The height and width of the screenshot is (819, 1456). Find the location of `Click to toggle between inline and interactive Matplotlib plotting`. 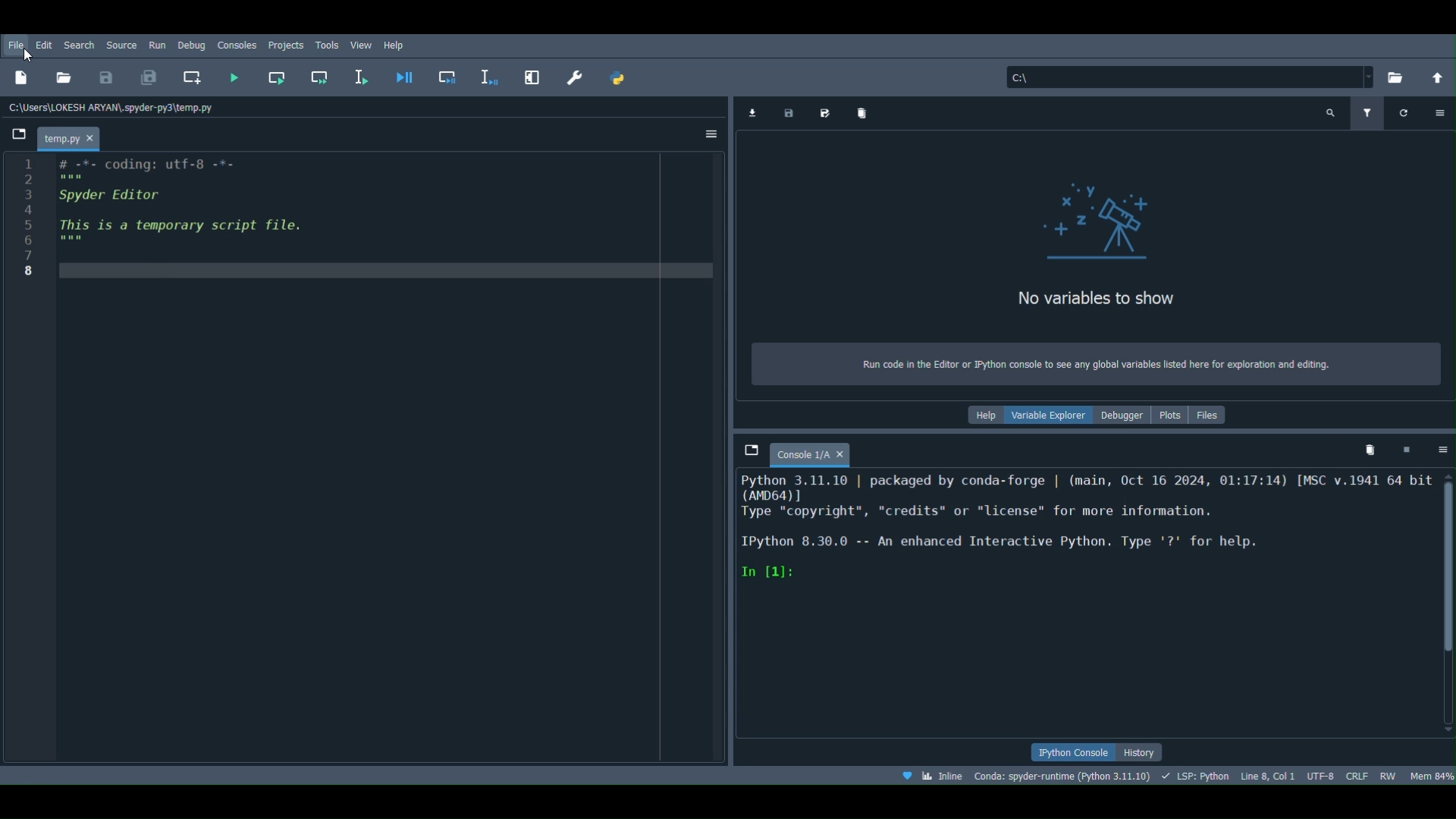

Click to toggle between inline and interactive Matplotlib plotting is located at coordinates (934, 777).